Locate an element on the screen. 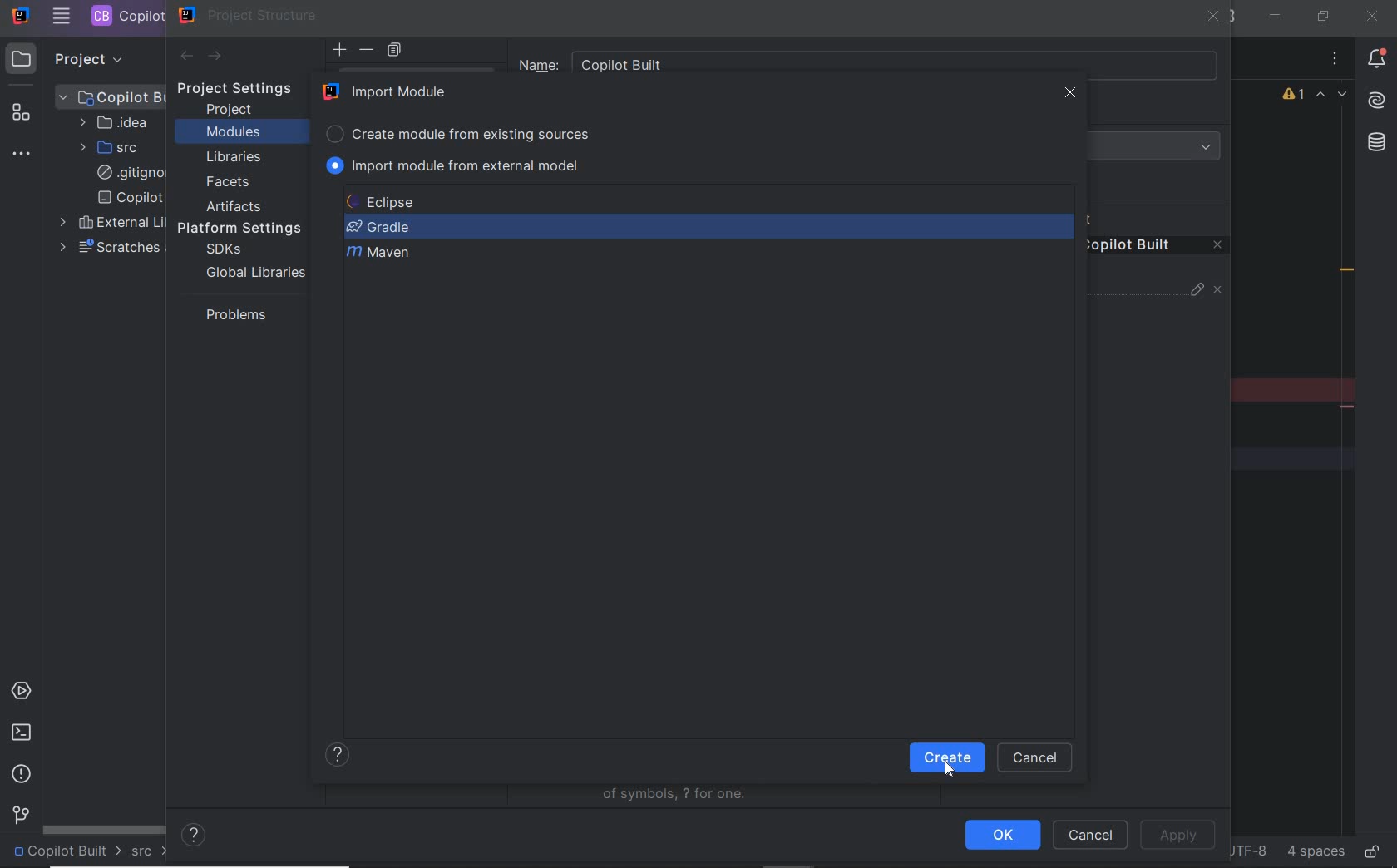  AI Assistant is located at coordinates (1375, 101).